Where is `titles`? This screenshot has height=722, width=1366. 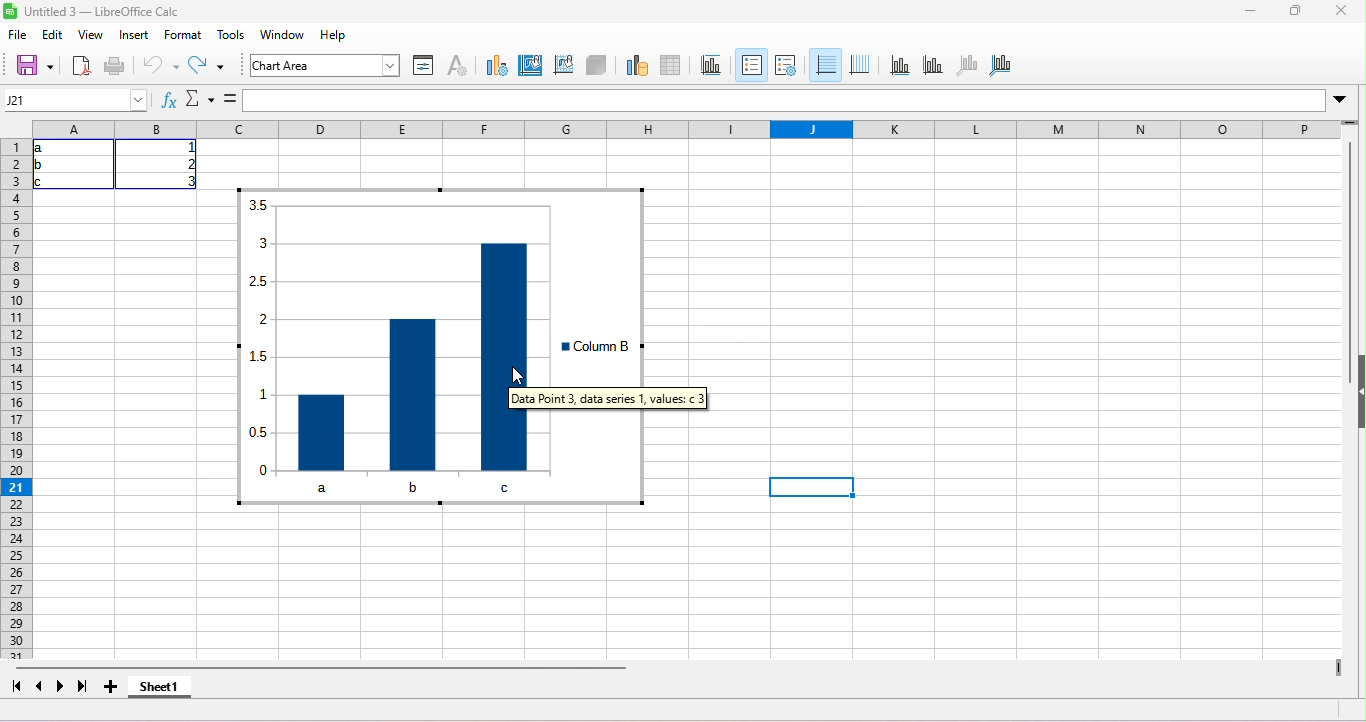
titles is located at coordinates (712, 65).